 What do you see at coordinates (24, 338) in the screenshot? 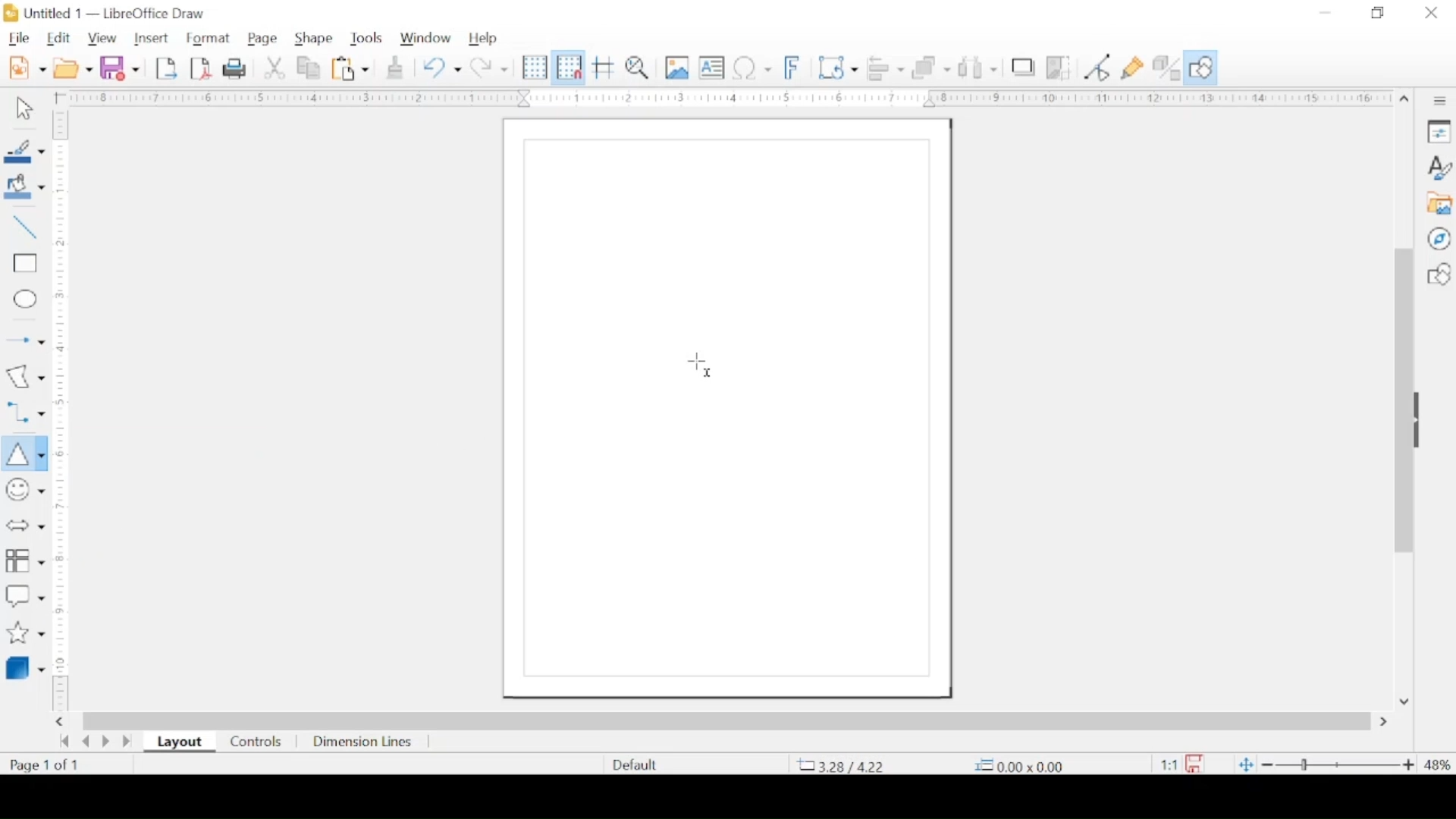
I see `insert arrow` at bounding box center [24, 338].